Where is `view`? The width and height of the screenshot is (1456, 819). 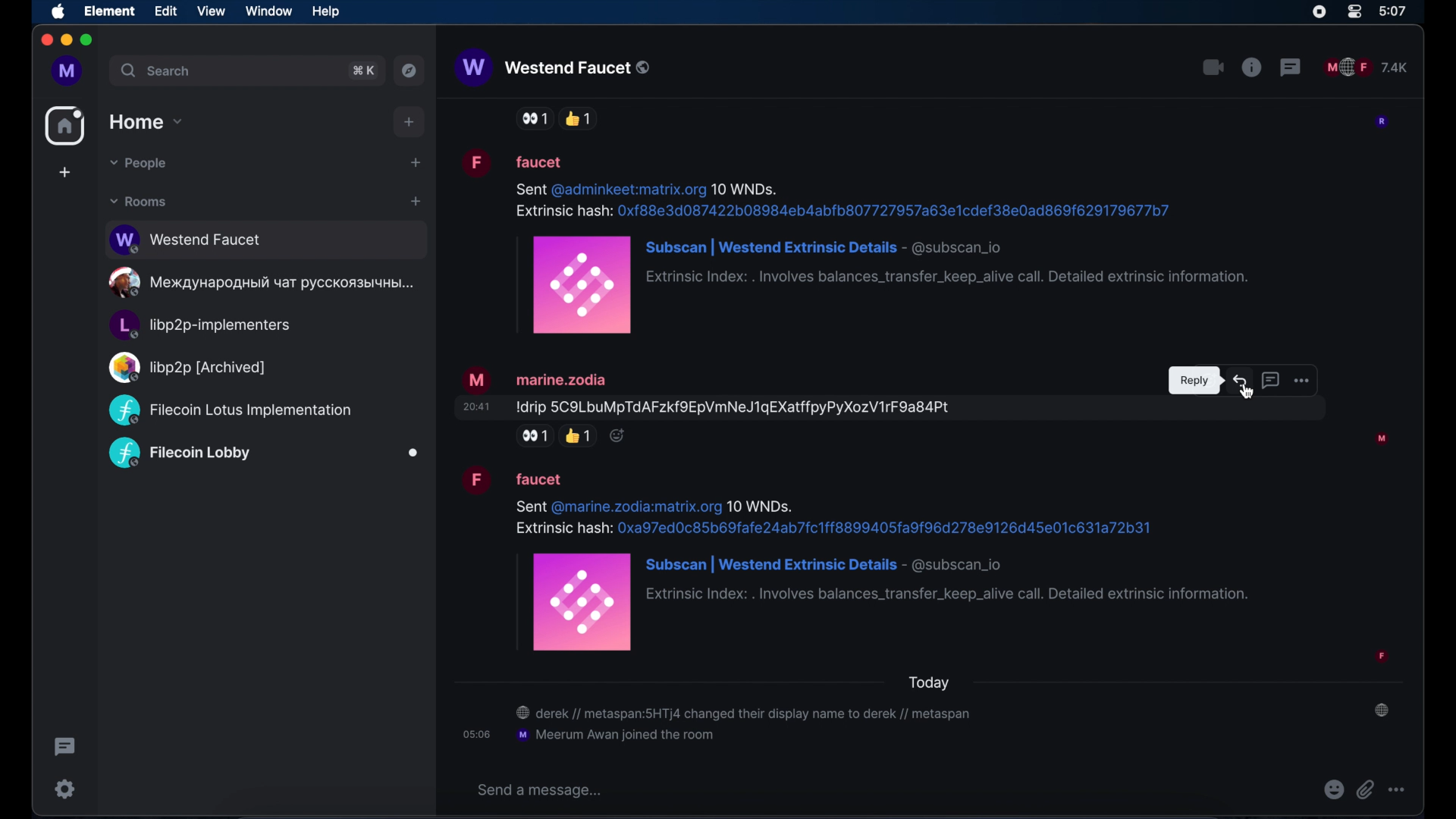 view is located at coordinates (210, 11).